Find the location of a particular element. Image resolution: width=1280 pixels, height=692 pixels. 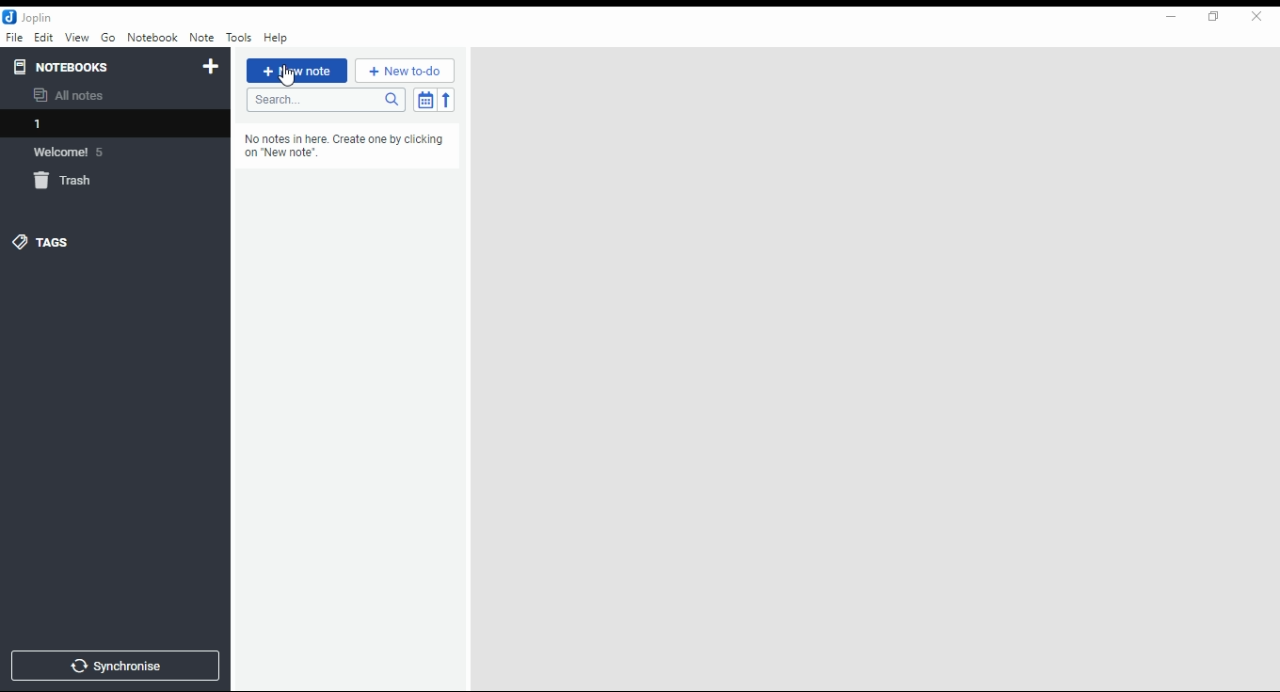

view is located at coordinates (78, 38).